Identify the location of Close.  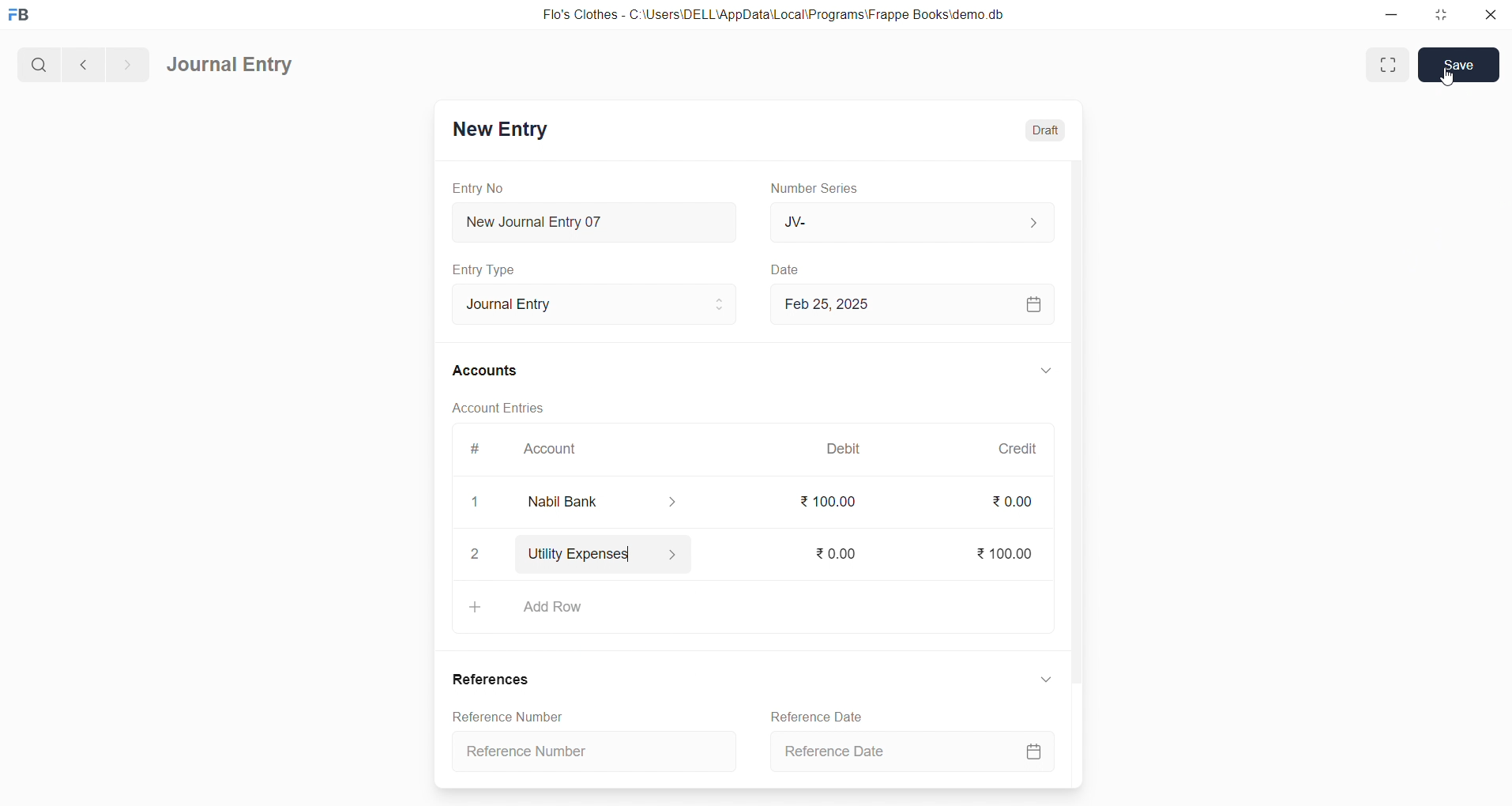
(476, 555).